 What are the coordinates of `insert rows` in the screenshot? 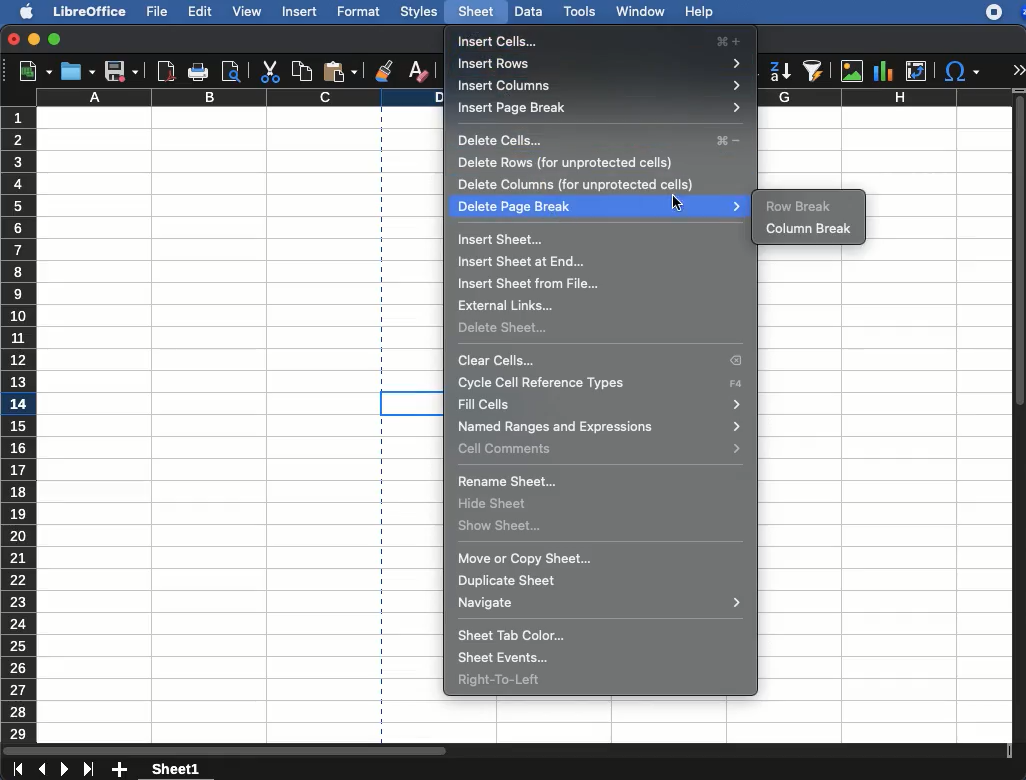 It's located at (600, 63).